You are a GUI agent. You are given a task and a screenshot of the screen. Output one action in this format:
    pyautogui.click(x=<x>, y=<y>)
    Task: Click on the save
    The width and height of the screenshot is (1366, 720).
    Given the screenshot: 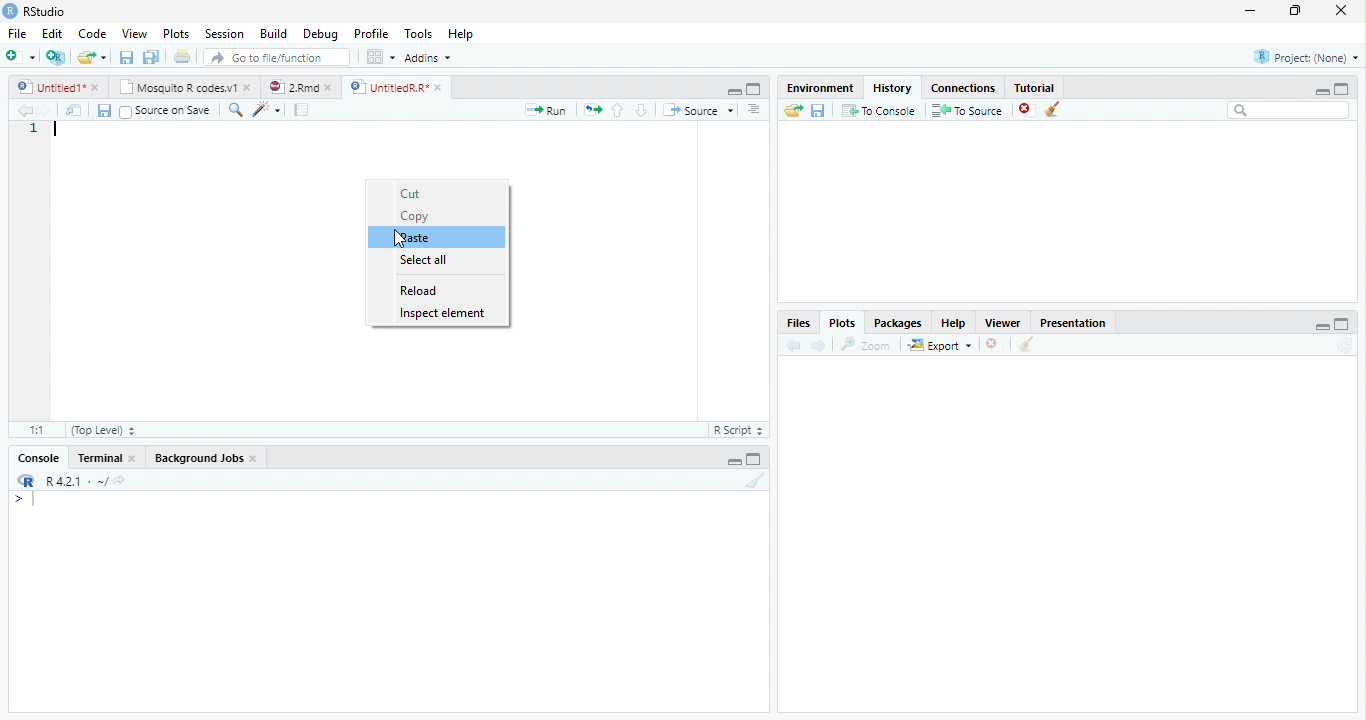 What is the action you would take?
    pyautogui.click(x=104, y=111)
    